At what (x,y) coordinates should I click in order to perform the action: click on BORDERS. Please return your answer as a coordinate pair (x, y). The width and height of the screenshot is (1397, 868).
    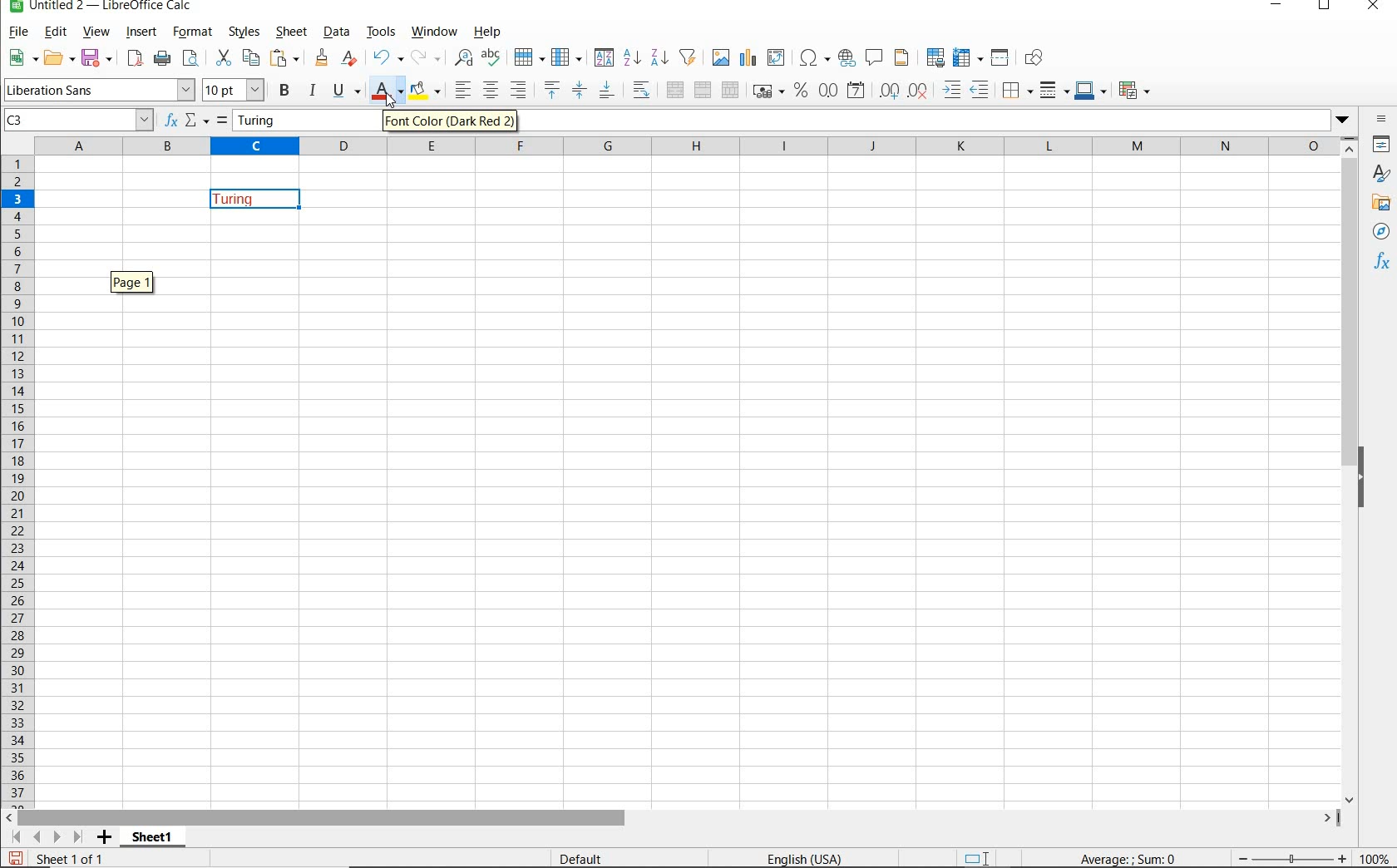
    Looking at the image, I should click on (1017, 91).